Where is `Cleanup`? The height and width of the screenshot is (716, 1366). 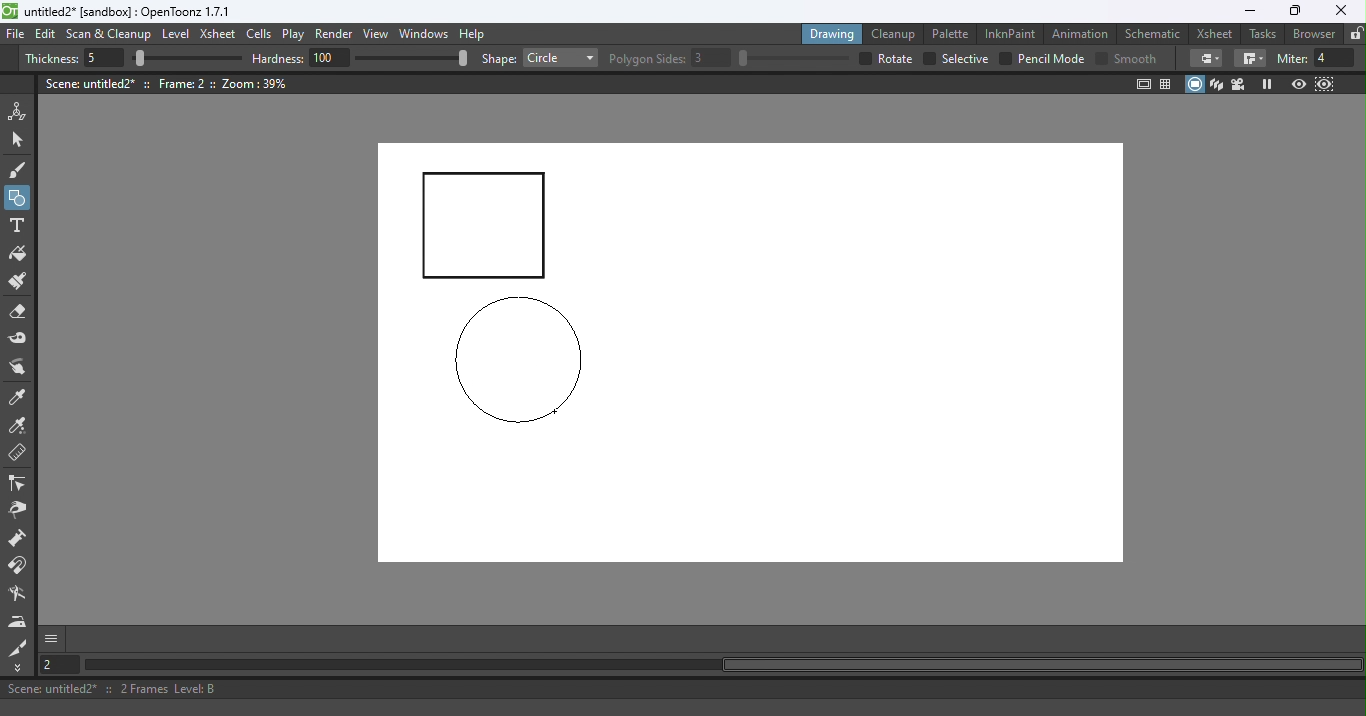 Cleanup is located at coordinates (897, 33).